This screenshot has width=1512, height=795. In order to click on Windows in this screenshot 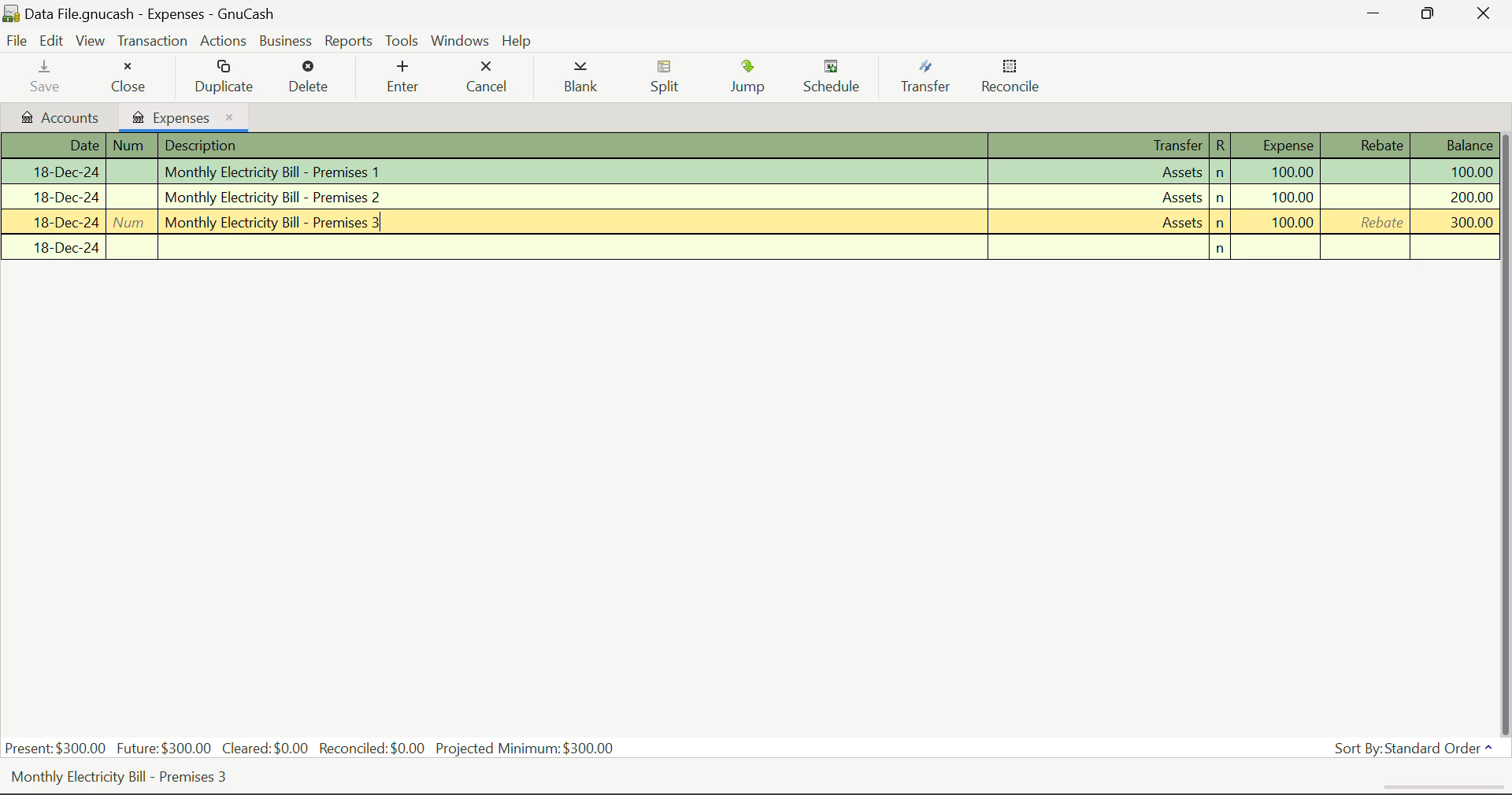, I will do `click(458, 41)`.